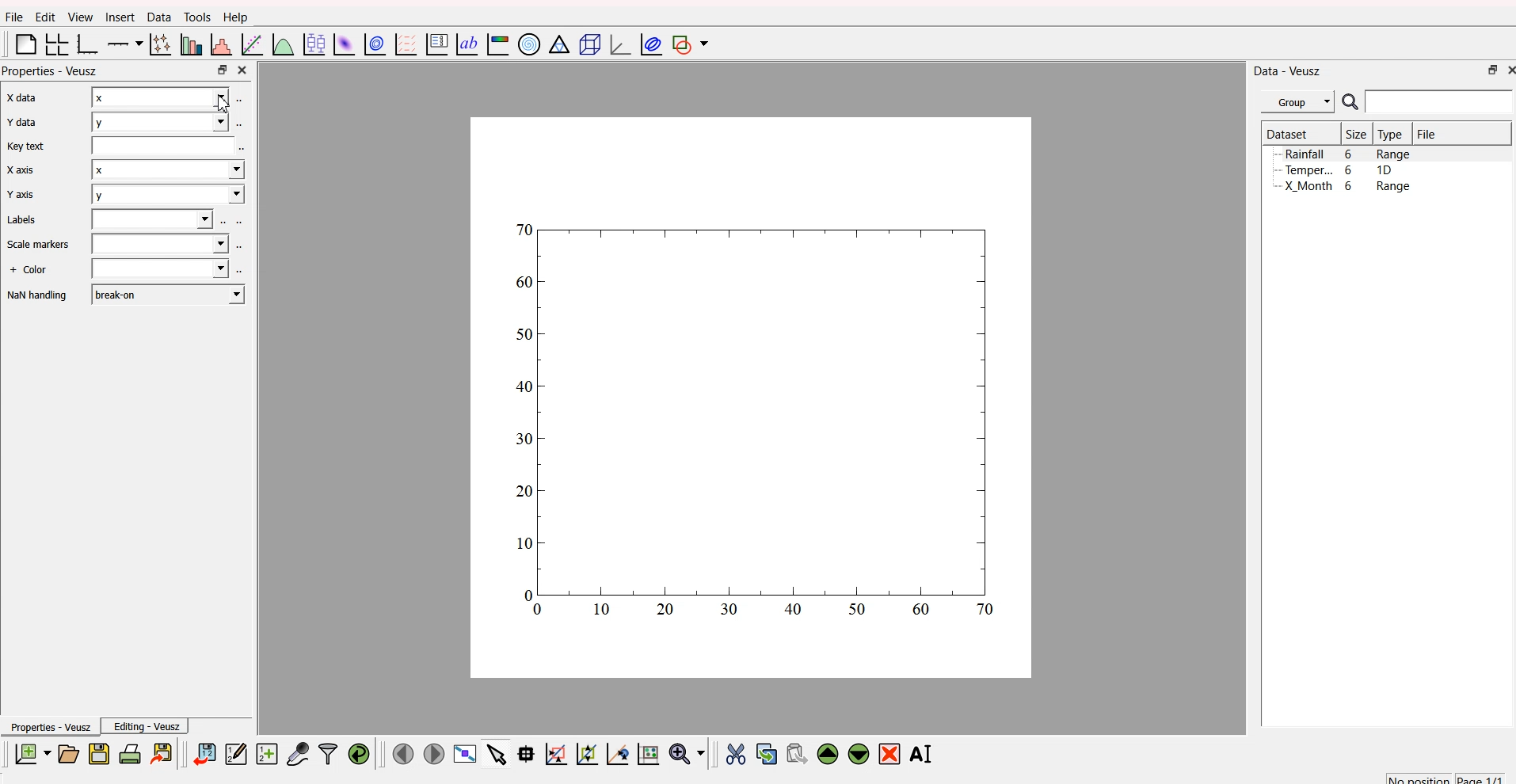  Describe the element at coordinates (1445, 775) in the screenshot. I see `no position page 1/1` at that location.